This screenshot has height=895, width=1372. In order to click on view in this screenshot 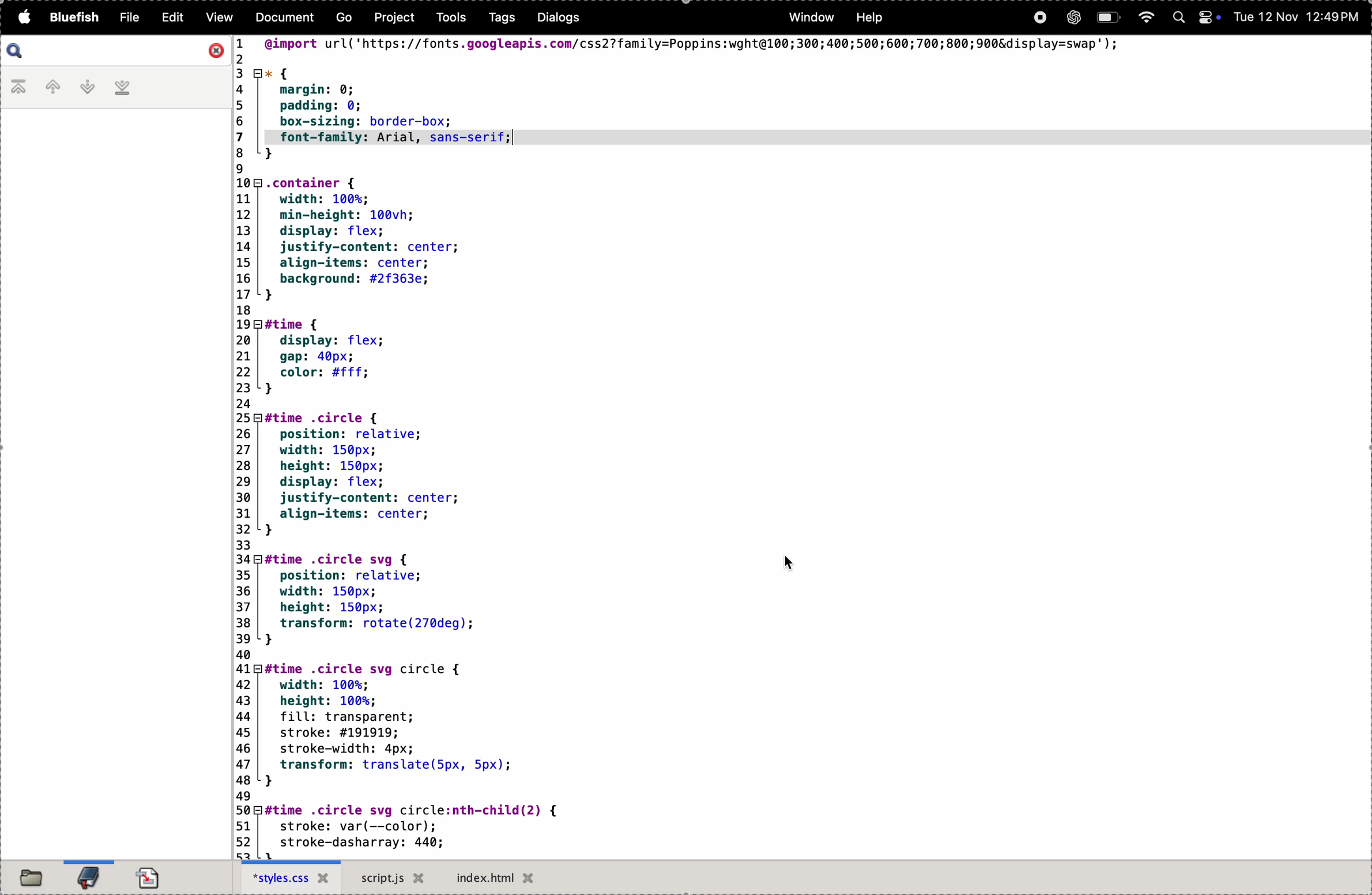, I will do `click(223, 18)`.